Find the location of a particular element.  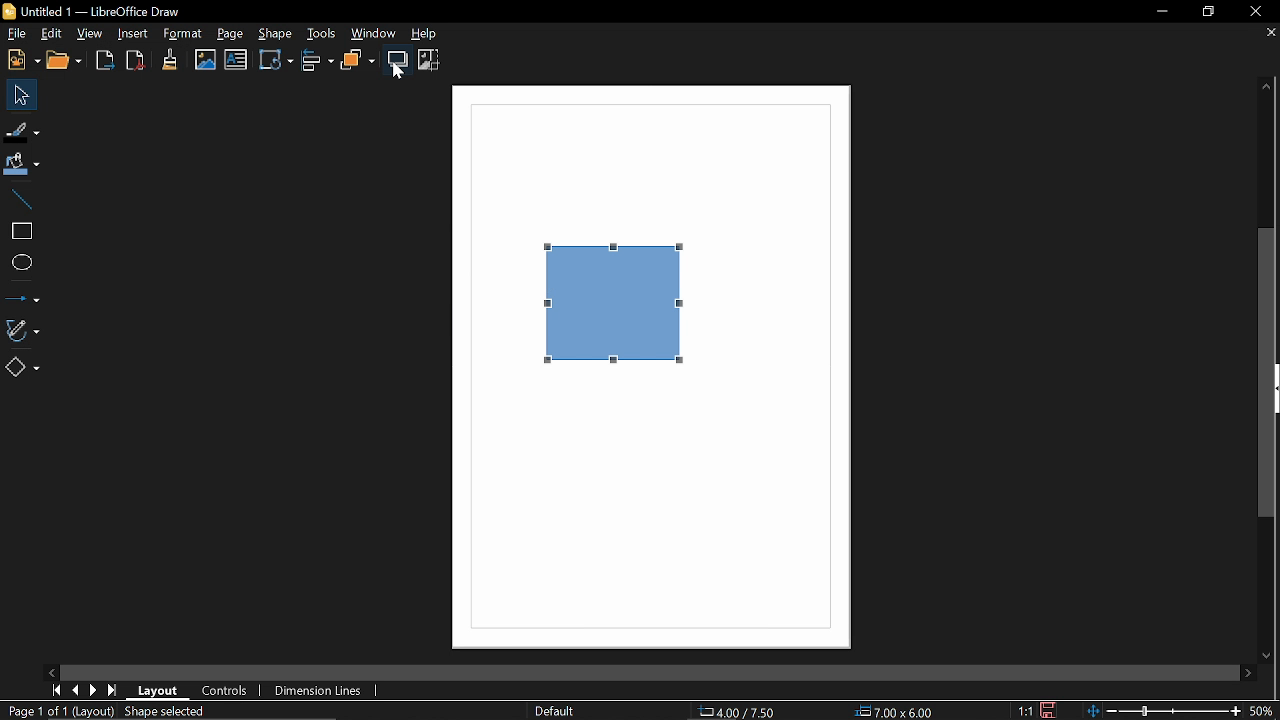

Current page is located at coordinates (37, 712).